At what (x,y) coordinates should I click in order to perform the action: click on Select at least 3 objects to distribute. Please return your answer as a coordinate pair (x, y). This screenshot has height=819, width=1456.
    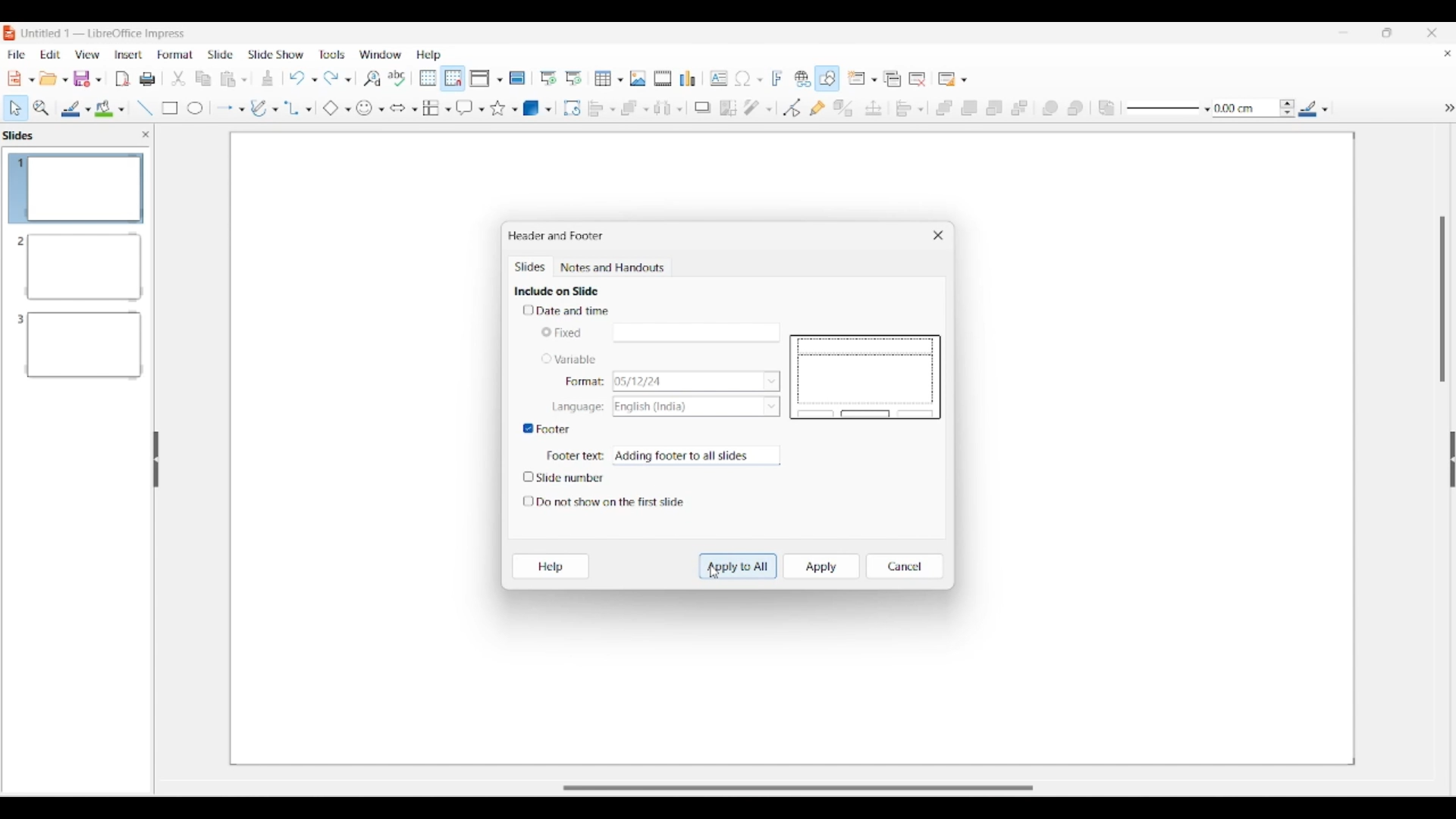
    Looking at the image, I should click on (668, 108).